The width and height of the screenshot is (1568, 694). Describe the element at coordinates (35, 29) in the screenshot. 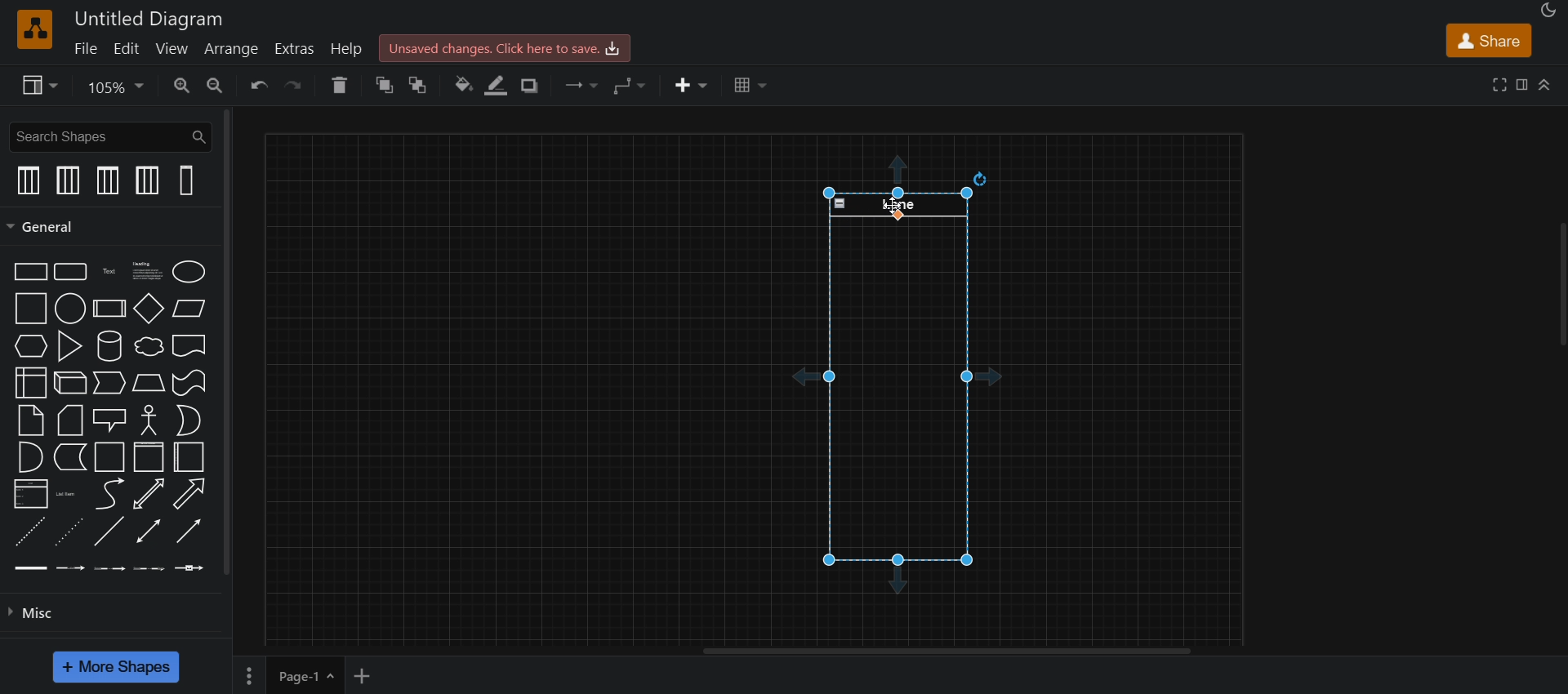

I see `logo` at that location.